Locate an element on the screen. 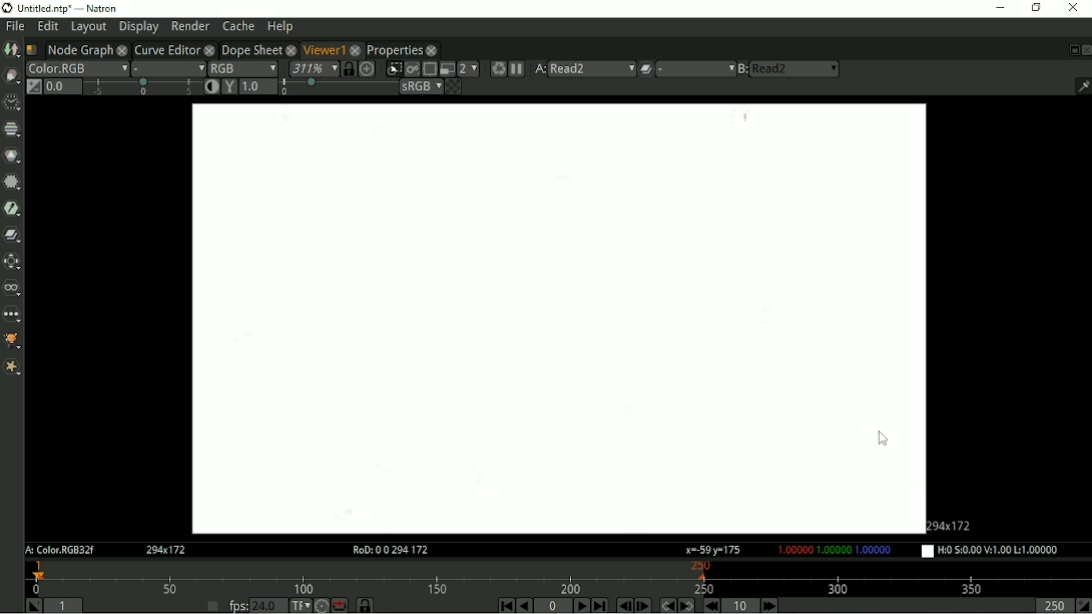  Synchronize  is located at coordinates (348, 68).